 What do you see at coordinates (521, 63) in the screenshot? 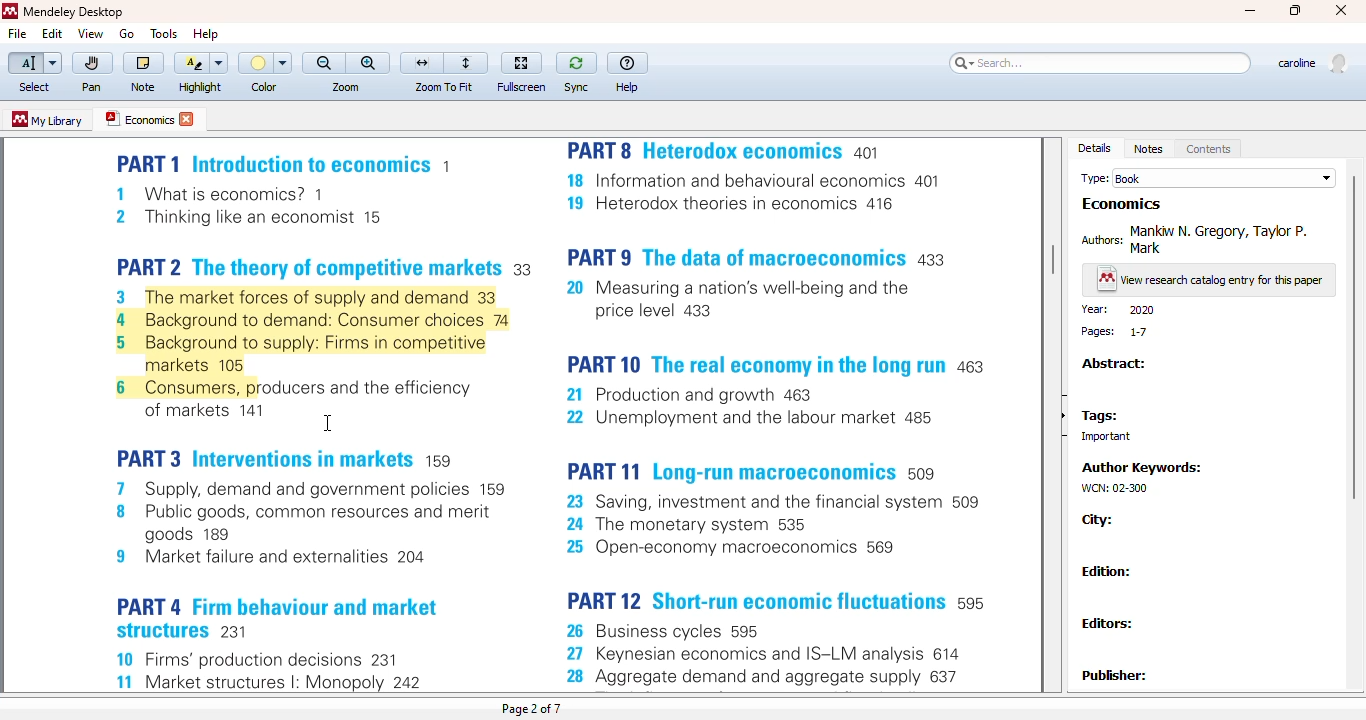
I see `fullscreen` at bounding box center [521, 63].